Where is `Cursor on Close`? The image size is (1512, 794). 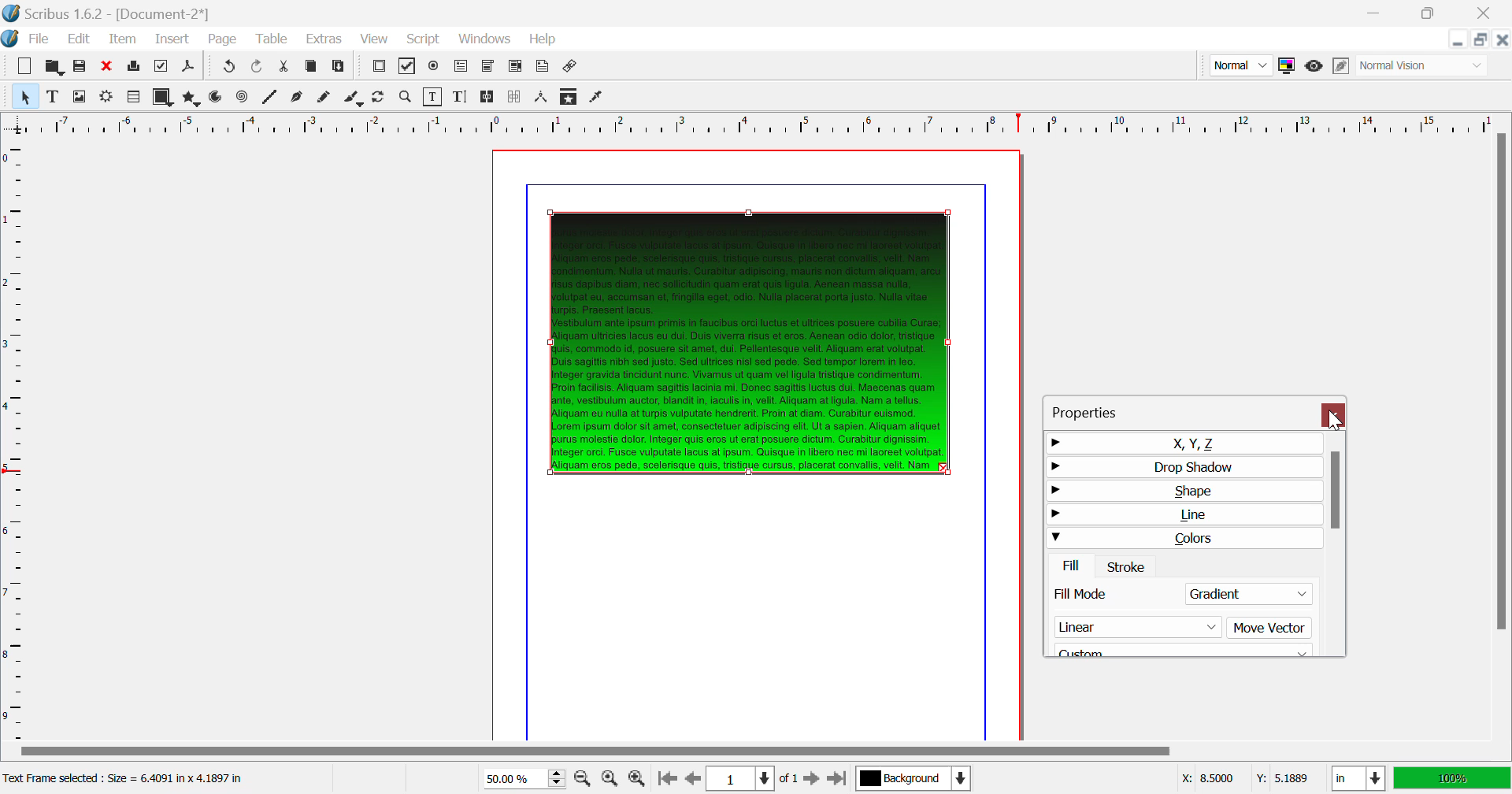 Cursor on Close is located at coordinates (1336, 421).